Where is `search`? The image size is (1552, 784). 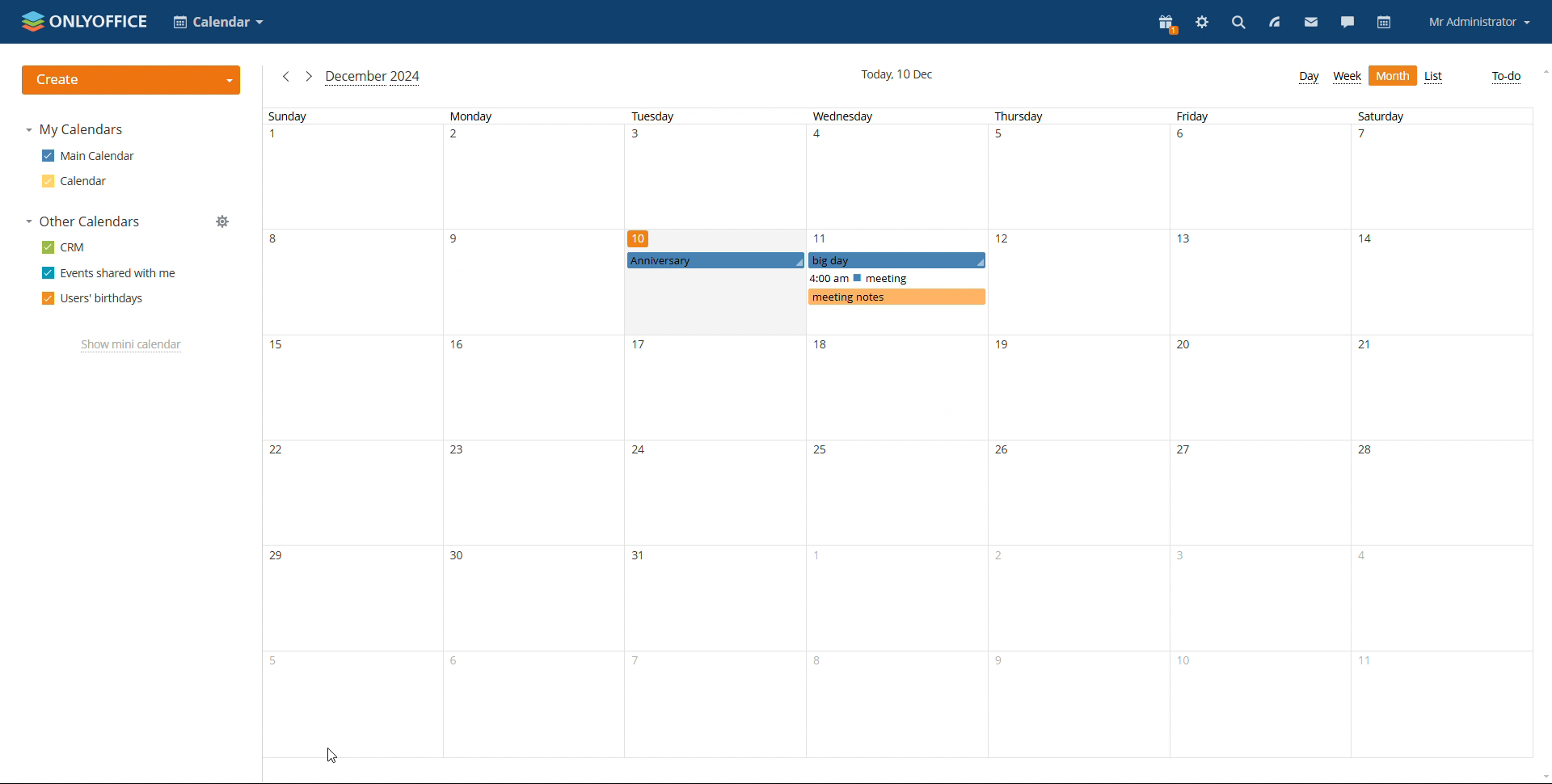
search is located at coordinates (1235, 23).